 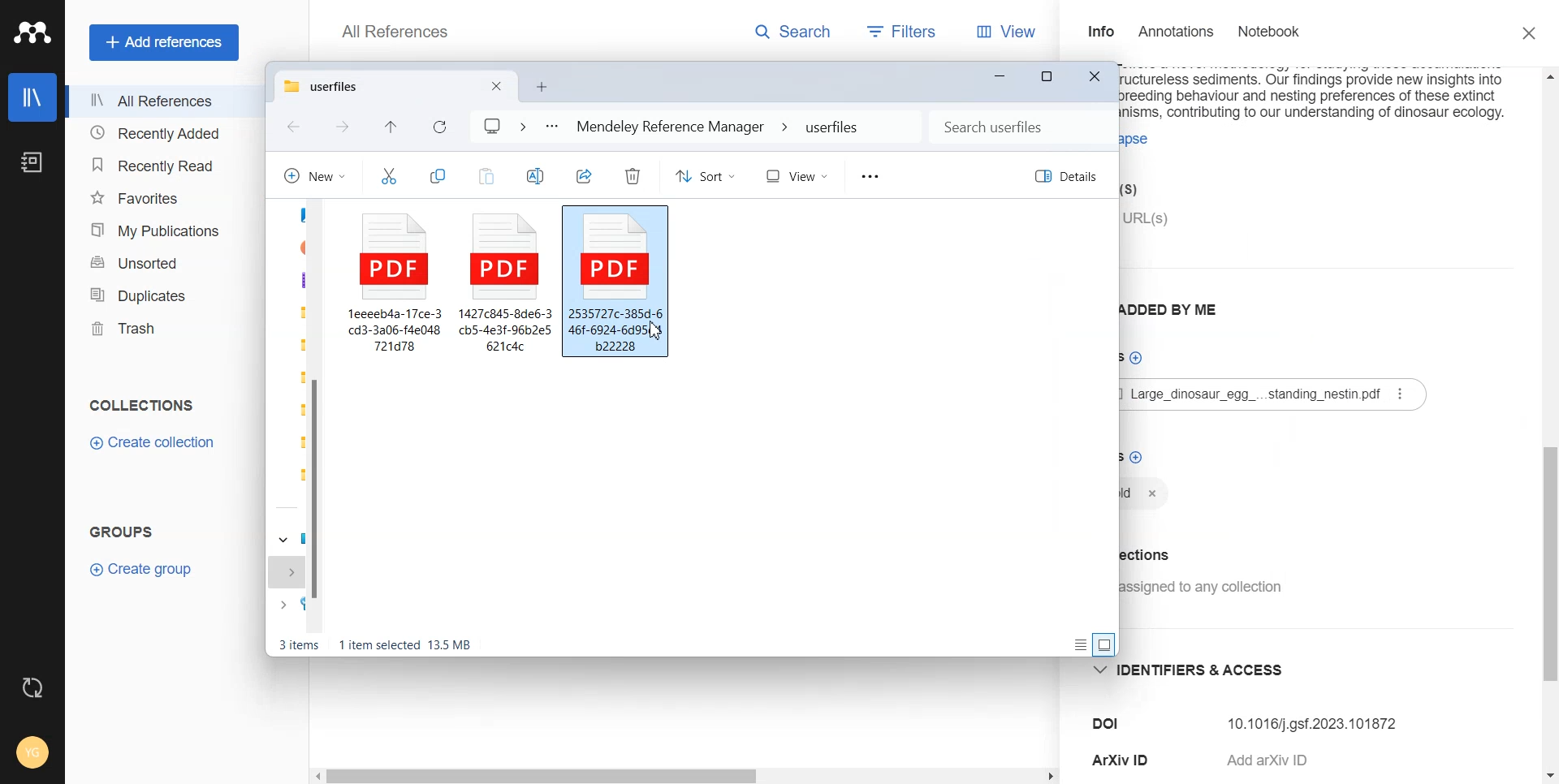 What do you see at coordinates (169, 325) in the screenshot?
I see `Trash` at bounding box center [169, 325].